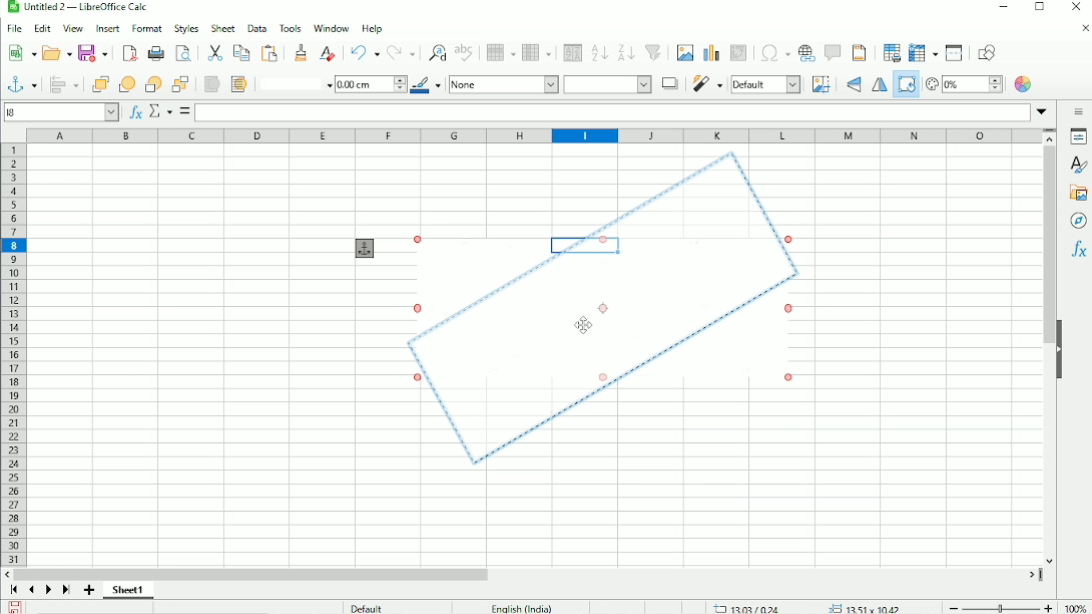 Image resolution: width=1092 pixels, height=614 pixels. I want to click on Styles, so click(1078, 165).